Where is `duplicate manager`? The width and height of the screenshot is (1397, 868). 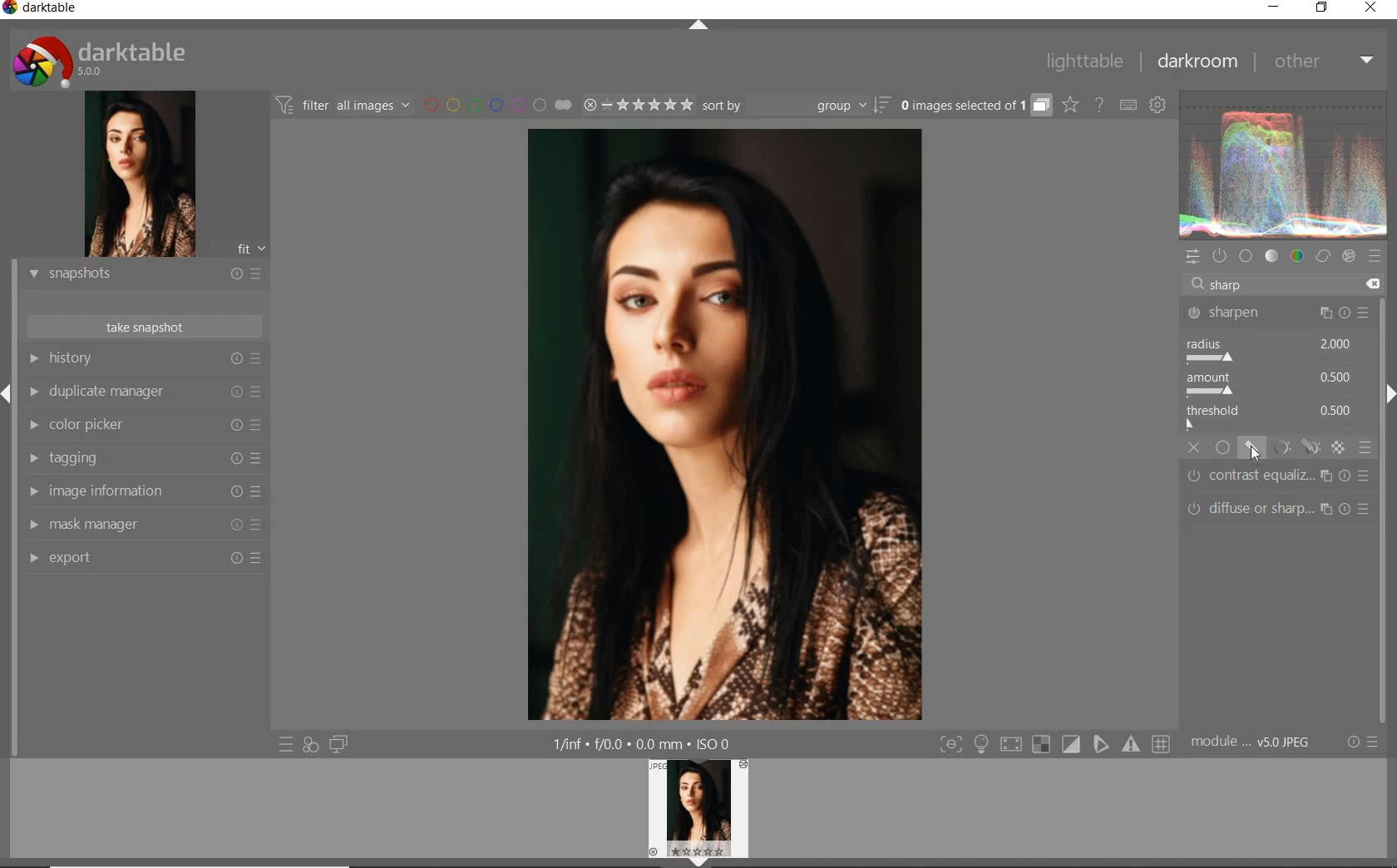
duplicate manager is located at coordinates (144, 390).